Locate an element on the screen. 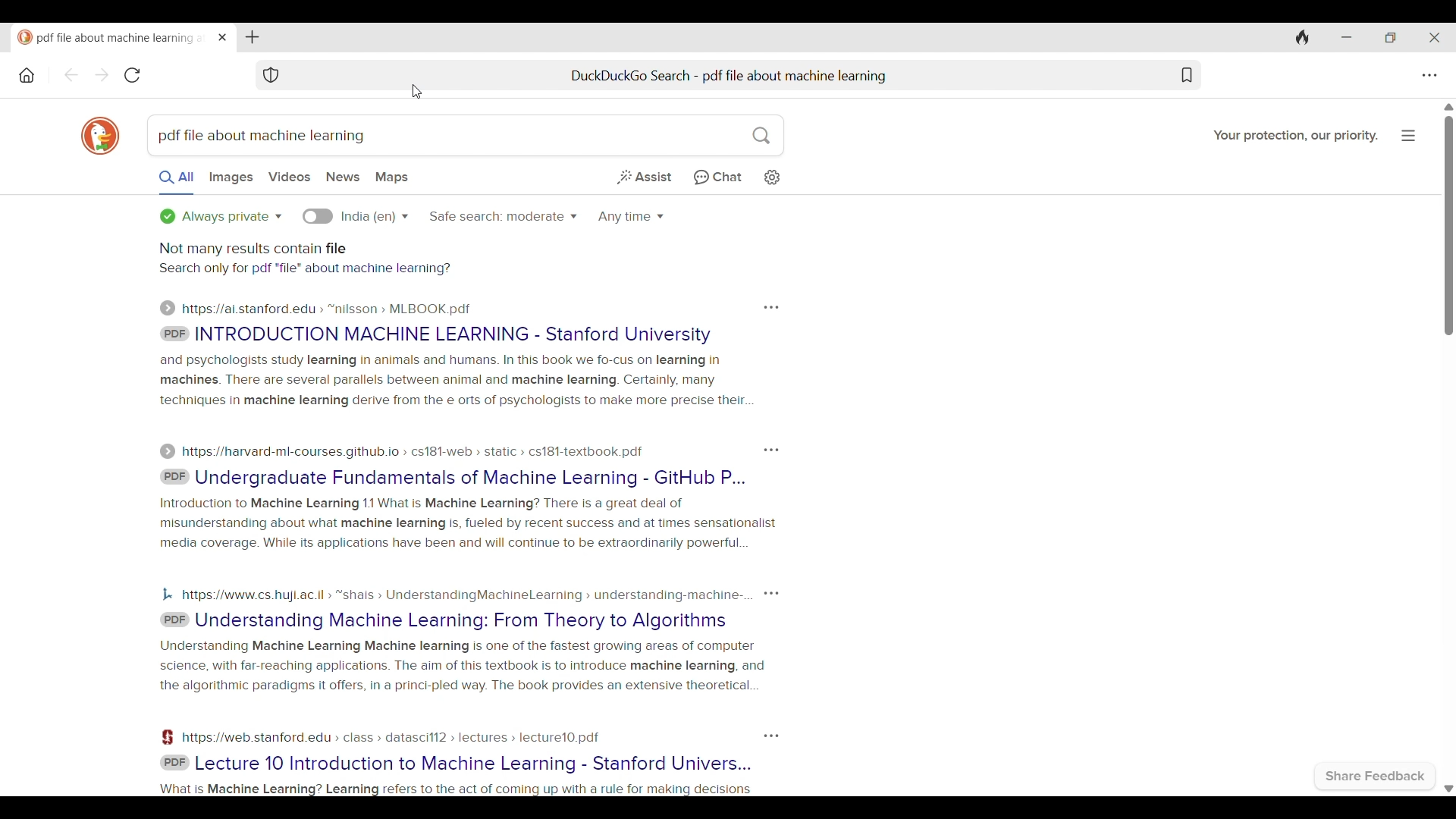 This screenshot has width=1456, height=819. Chat privately with AI is located at coordinates (718, 177).